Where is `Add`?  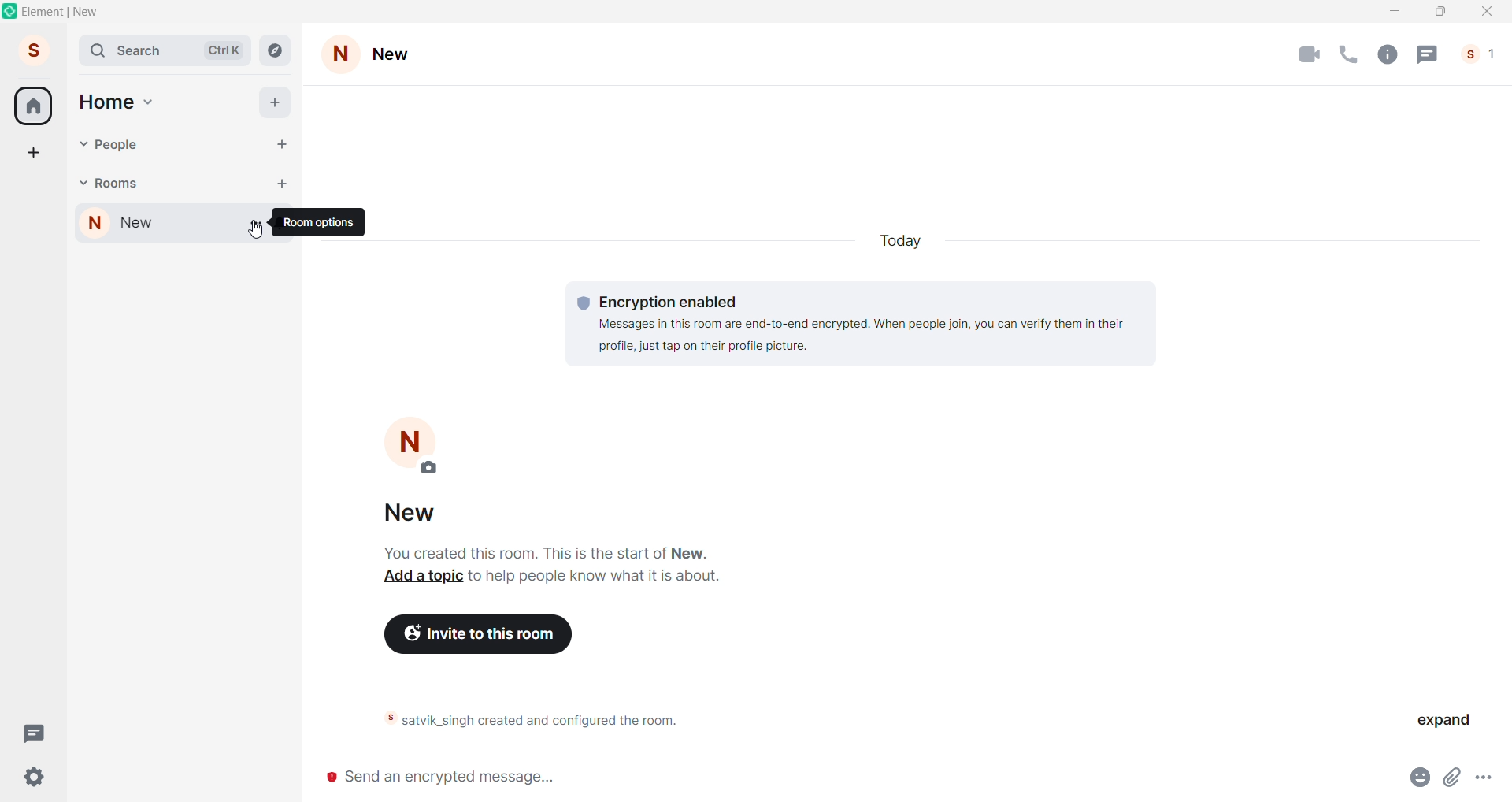 Add is located at coordinates (275, 104).